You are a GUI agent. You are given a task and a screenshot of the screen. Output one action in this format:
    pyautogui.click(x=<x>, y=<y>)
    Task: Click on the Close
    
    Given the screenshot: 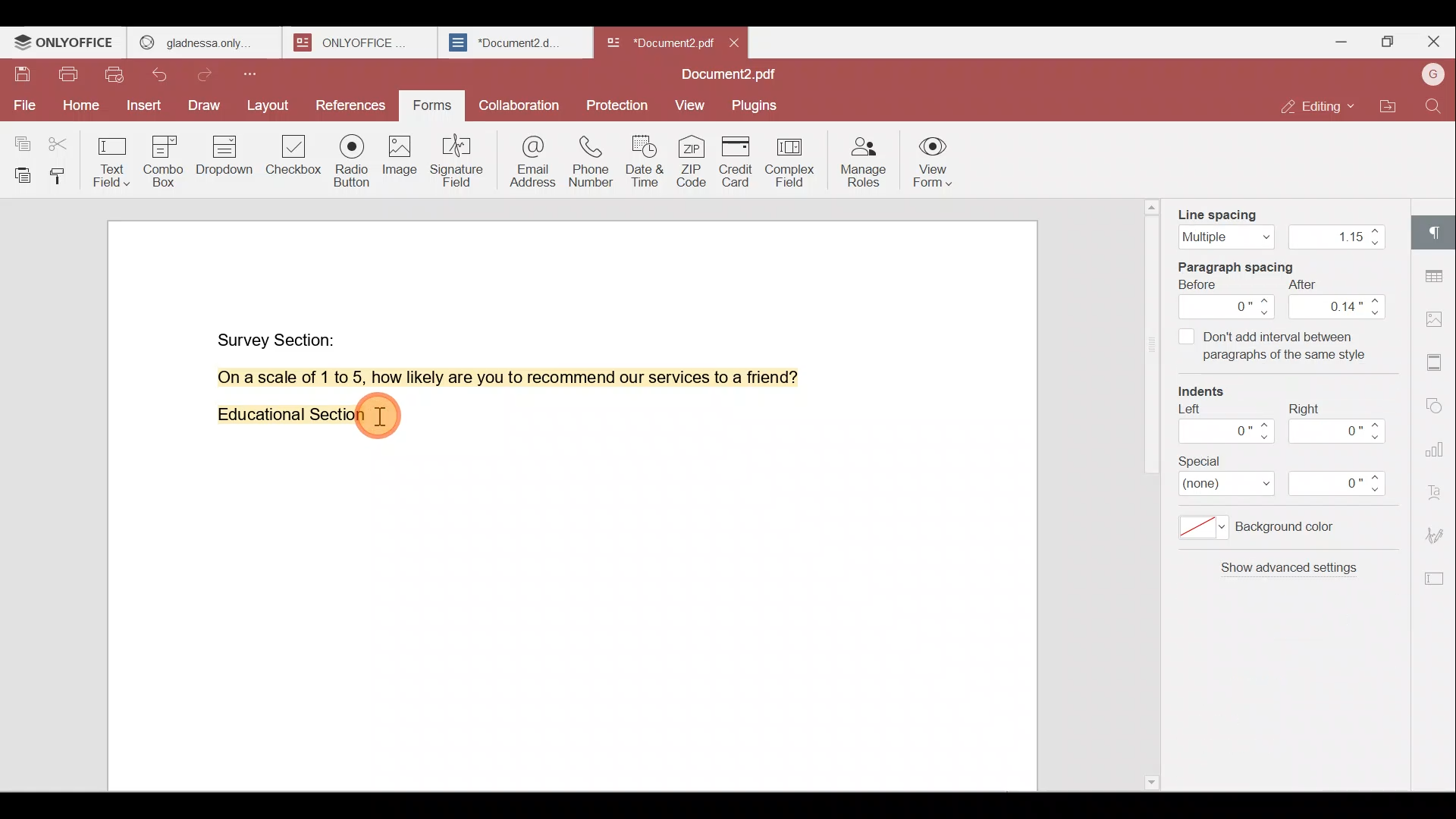 What is the action you would take?
    pyautogui.click(x=1433, y=42)
    